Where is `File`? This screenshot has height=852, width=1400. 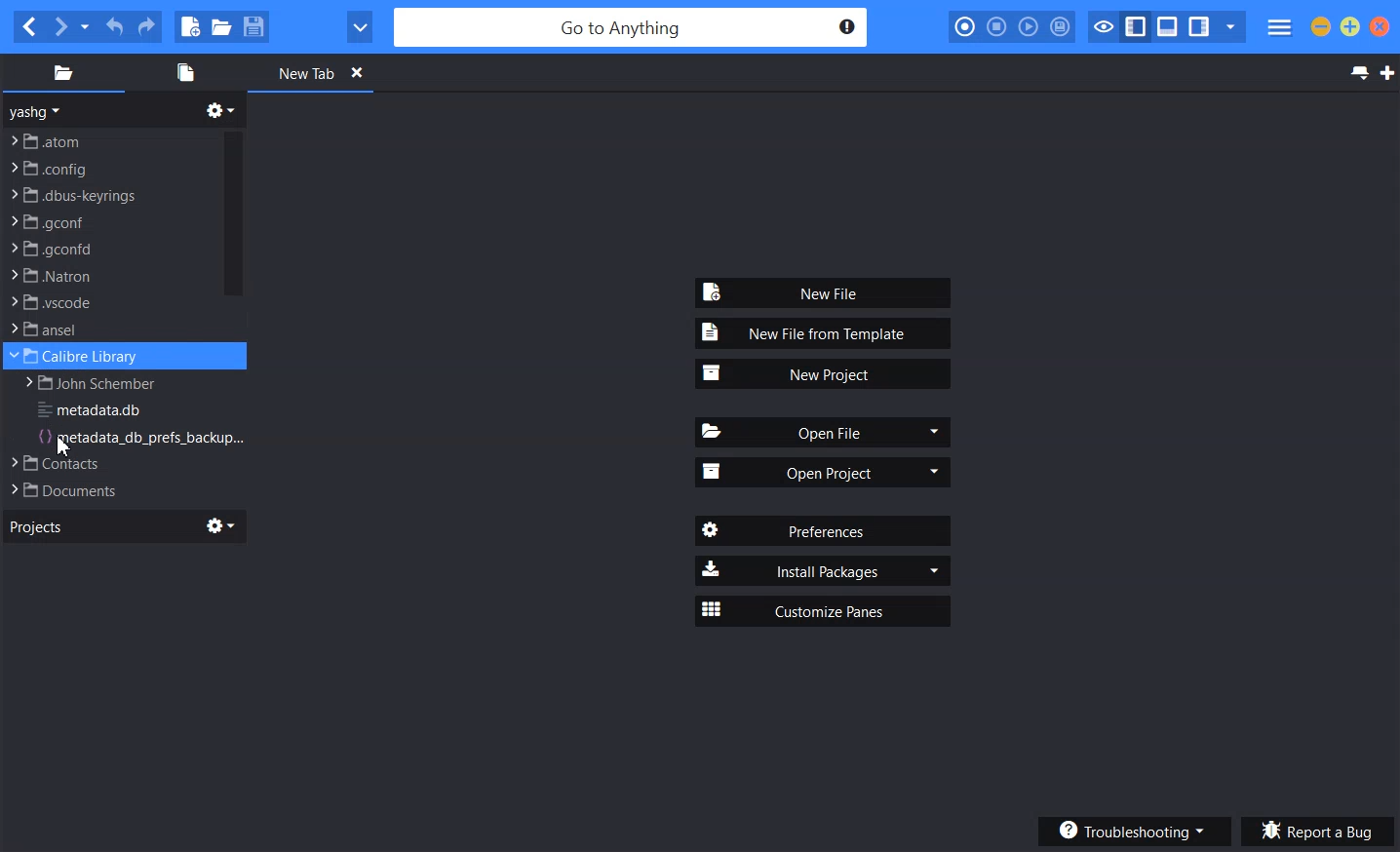
File is located at coordinates (108, 249).